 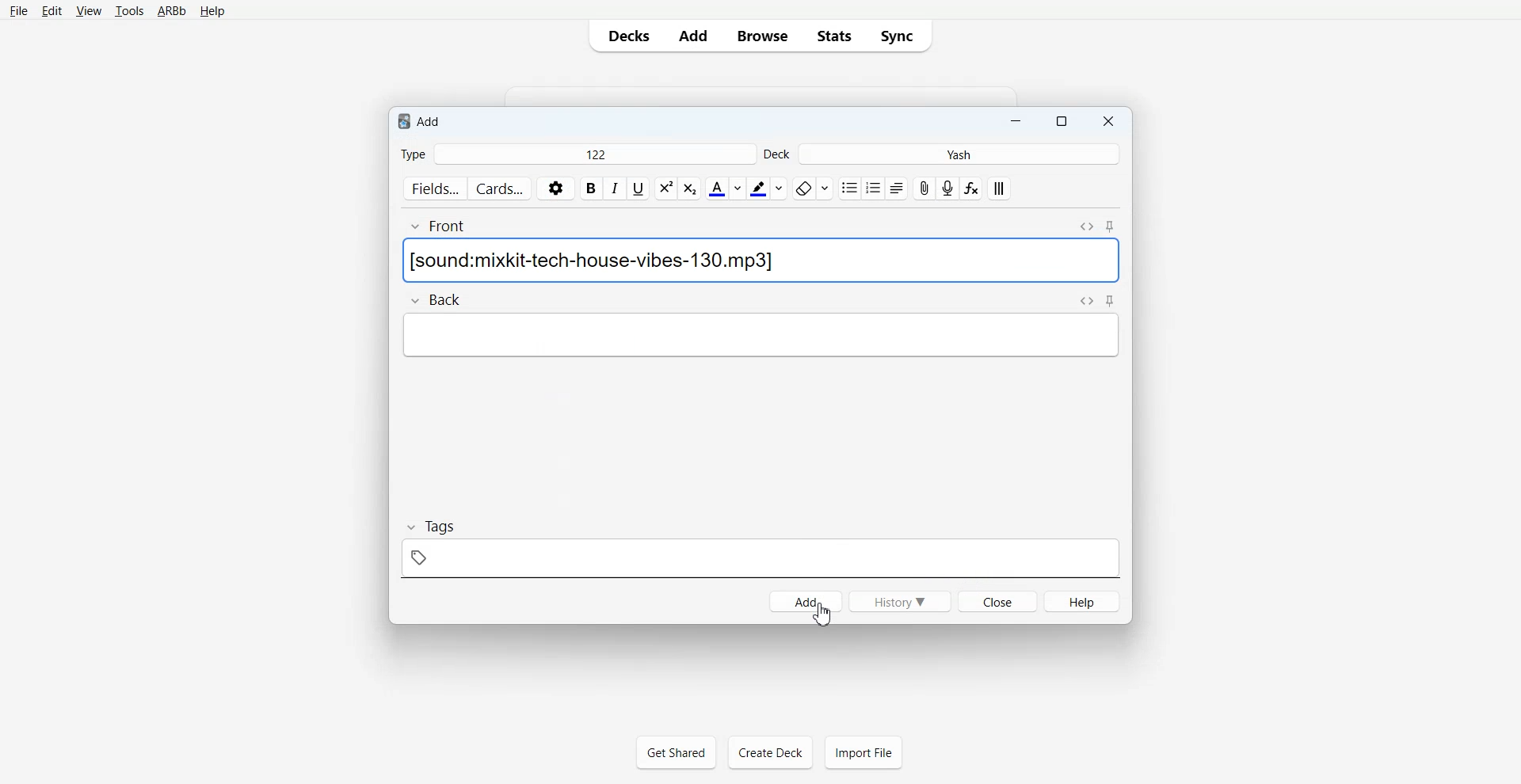 I want to click on Cursor, so click(x=822, y=614).